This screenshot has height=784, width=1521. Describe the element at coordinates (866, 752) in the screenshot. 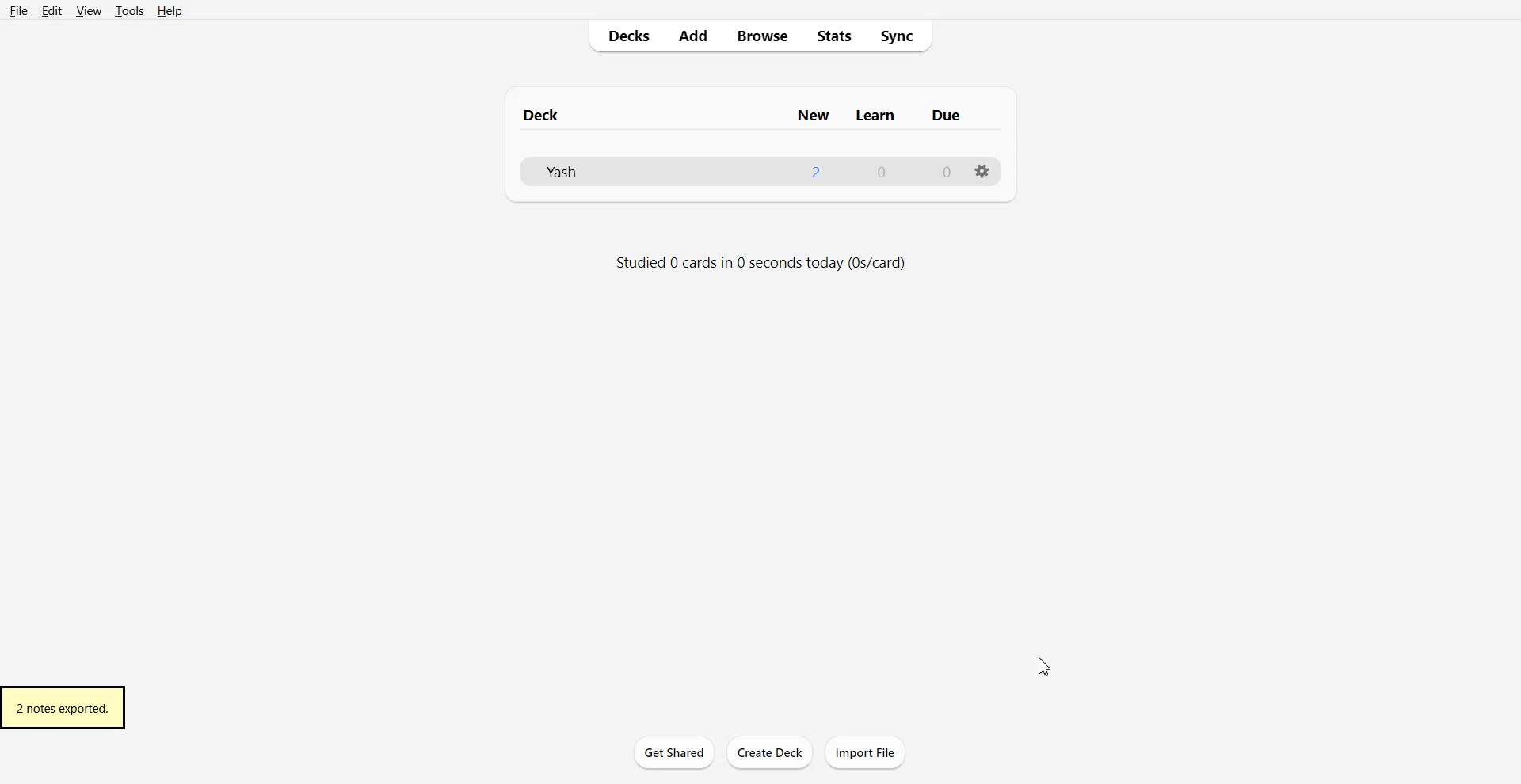

I see `Import File` at that location.